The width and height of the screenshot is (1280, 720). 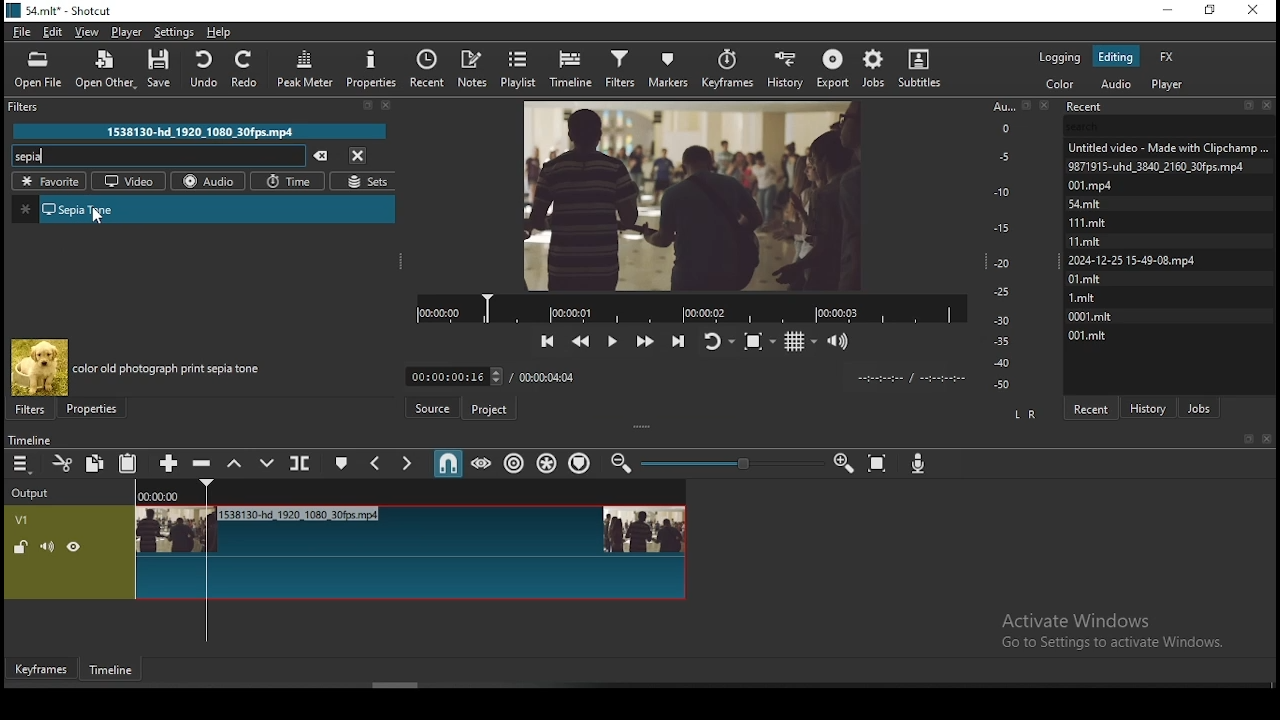 I want to click on copy, so click(x=97, y=464).